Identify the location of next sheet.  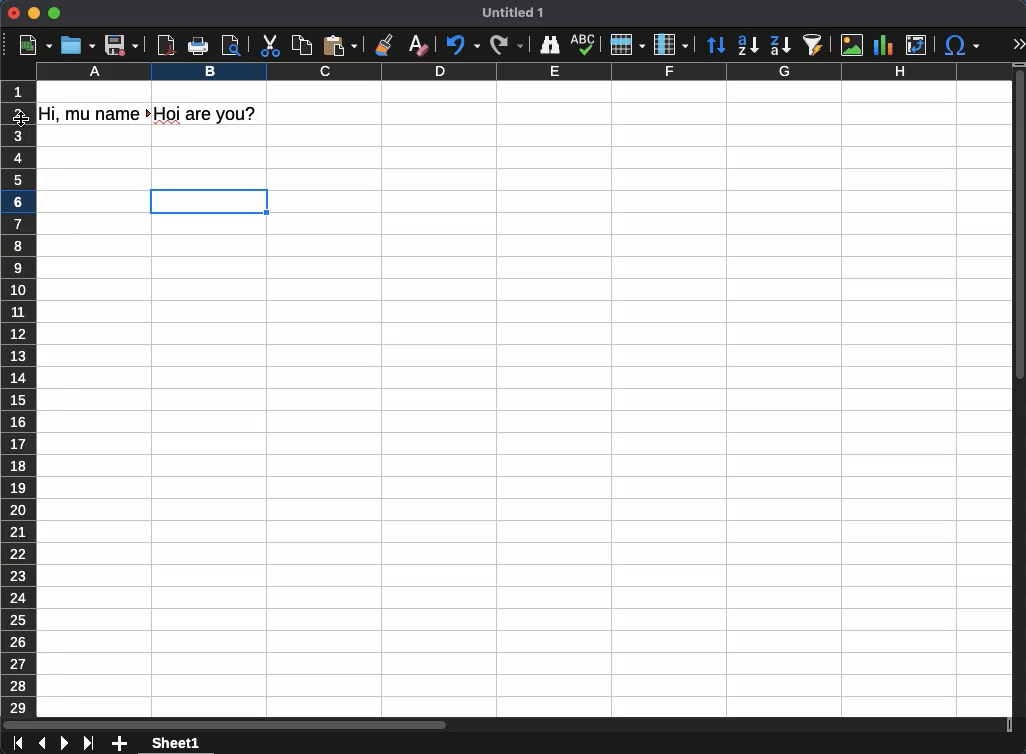
(65, 743).